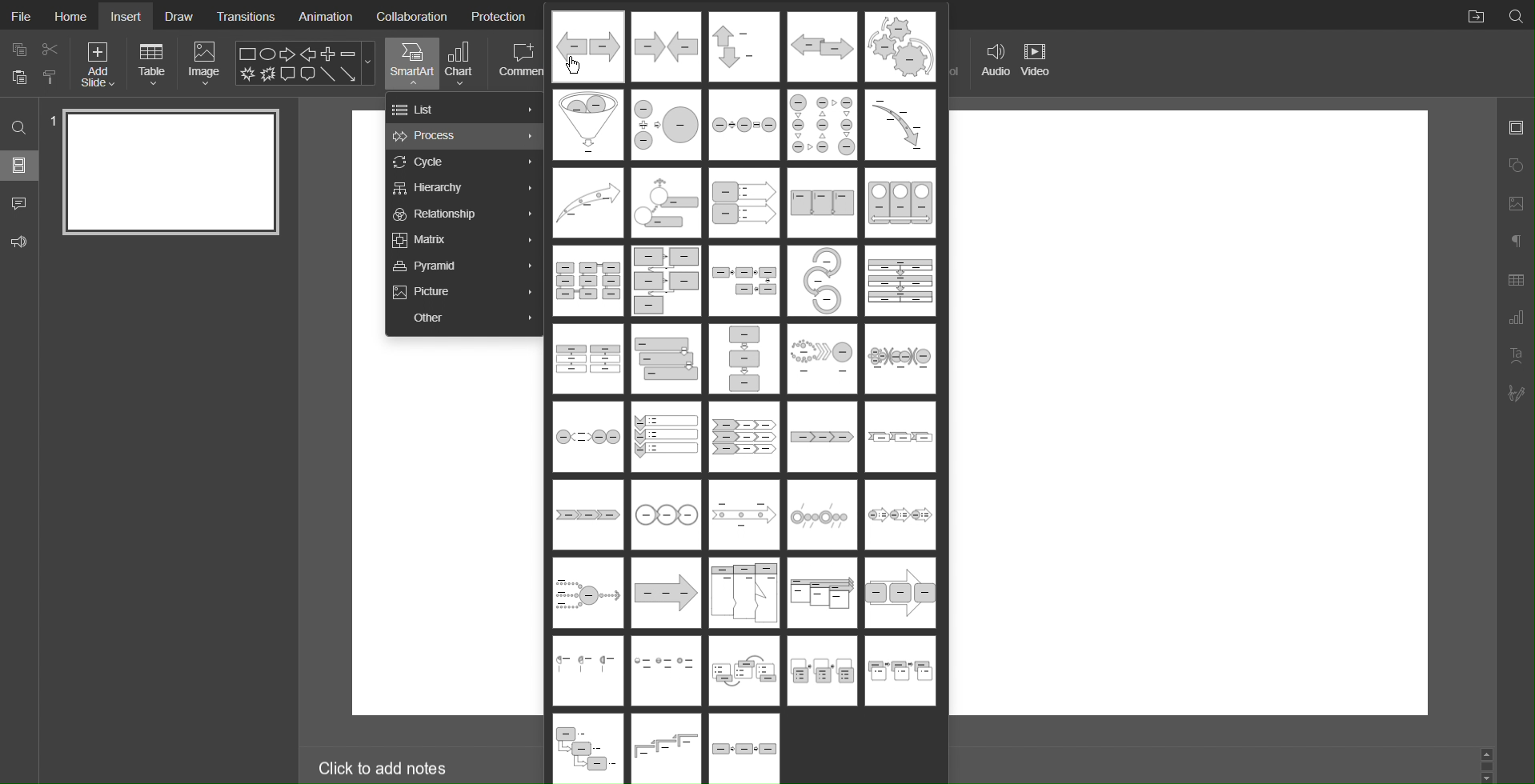  What do you see at coordinates (1515, 393) in the screenshot?
I see `Signature` at bounding box center [1515, 393].